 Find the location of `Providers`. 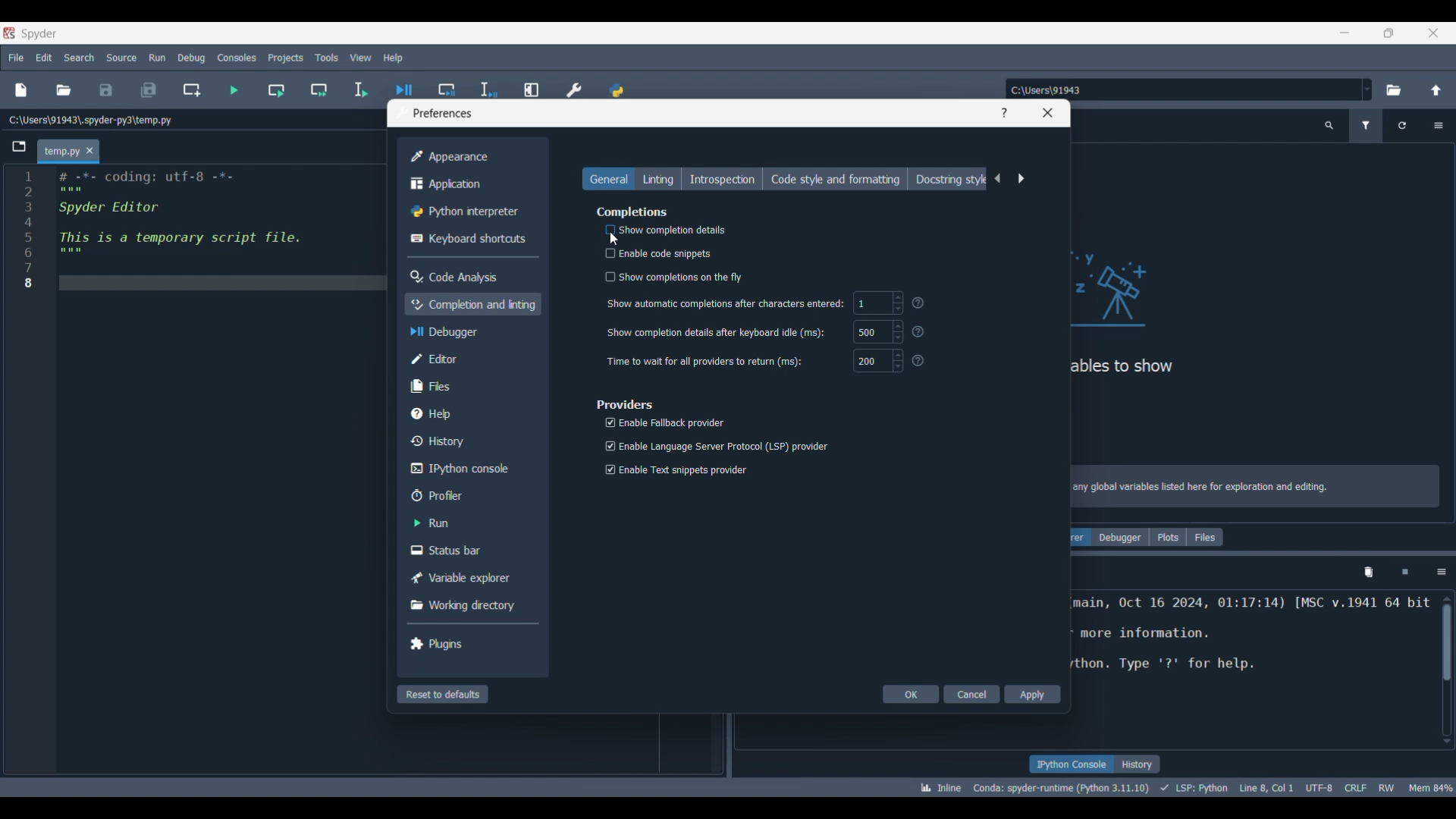

Providers is located at coordinates (623, 401).